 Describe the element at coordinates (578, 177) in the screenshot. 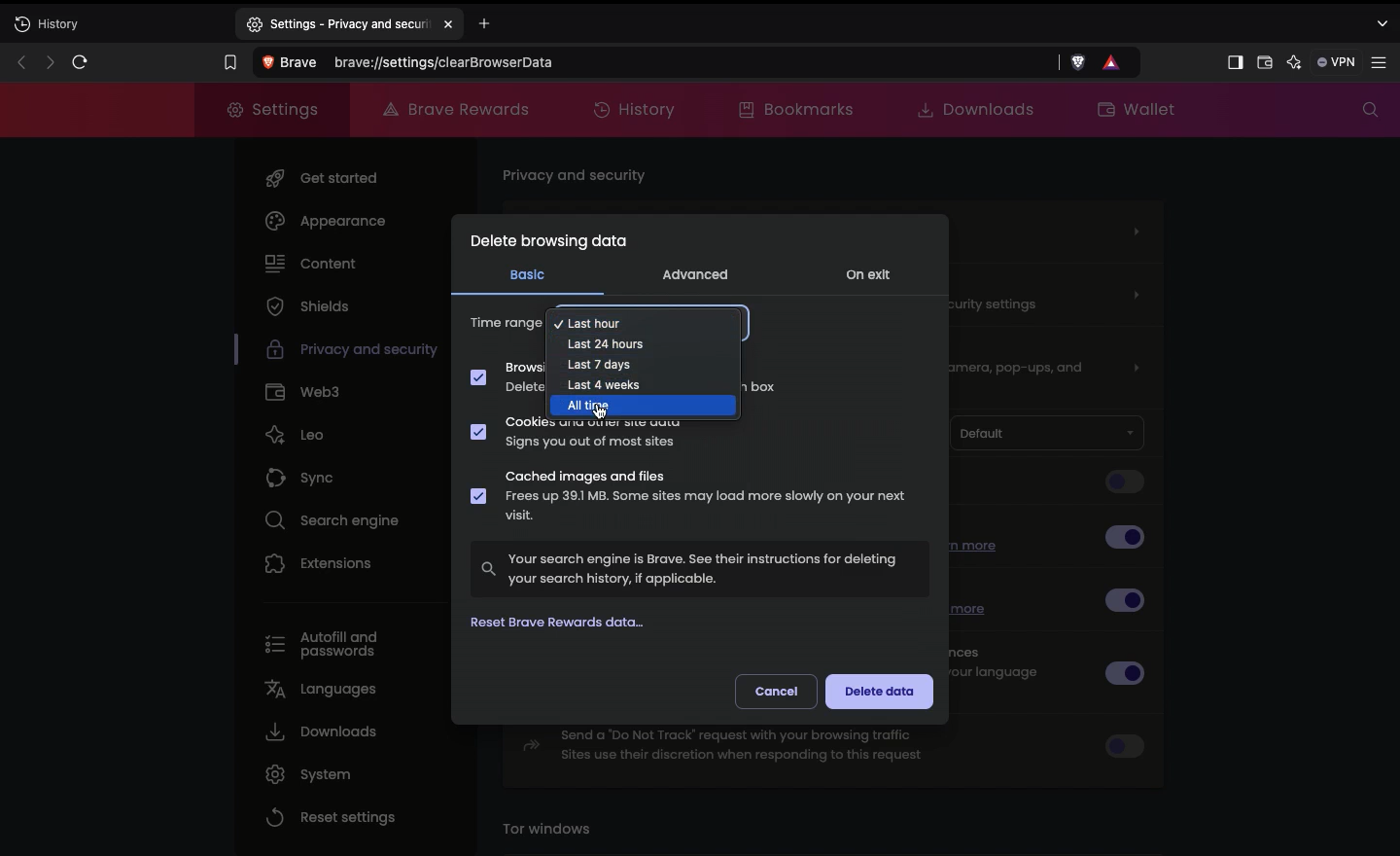

I see `Privacy and security` at that location.